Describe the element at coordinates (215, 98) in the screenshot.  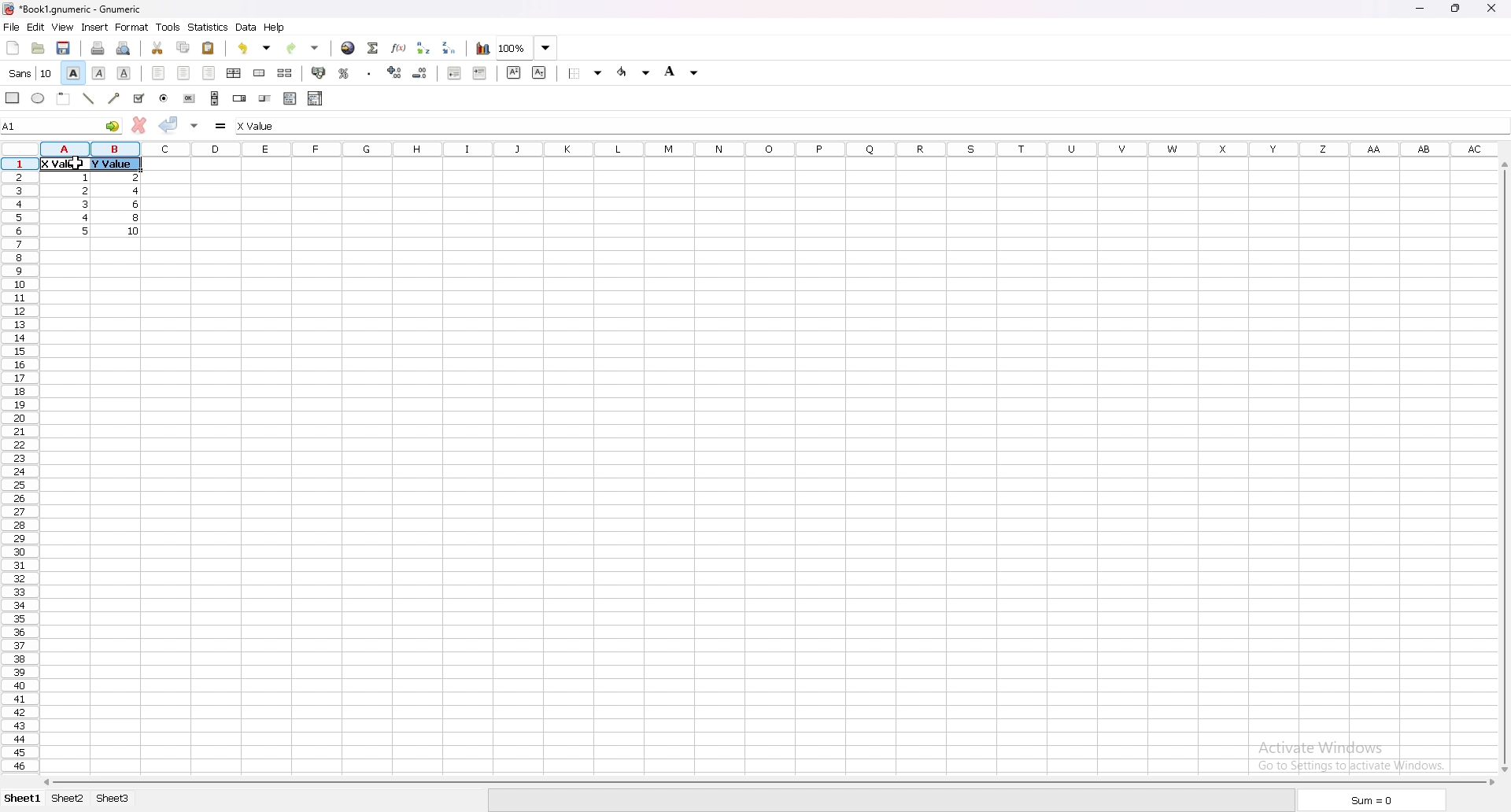
I see `scroll bar` at that location.